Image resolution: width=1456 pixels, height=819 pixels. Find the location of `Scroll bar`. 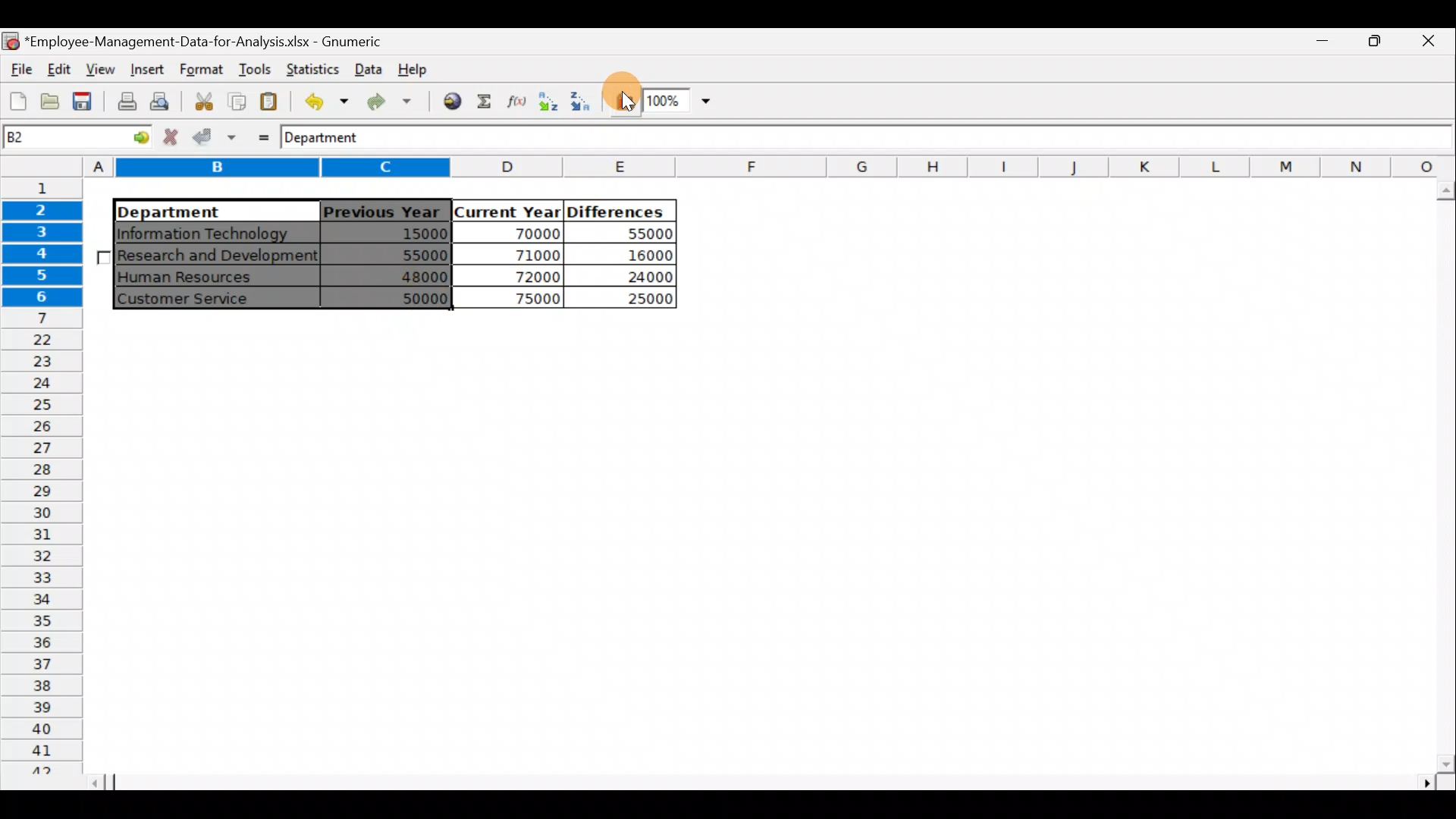

Scroll bar is located at coordinates (1442, 477).